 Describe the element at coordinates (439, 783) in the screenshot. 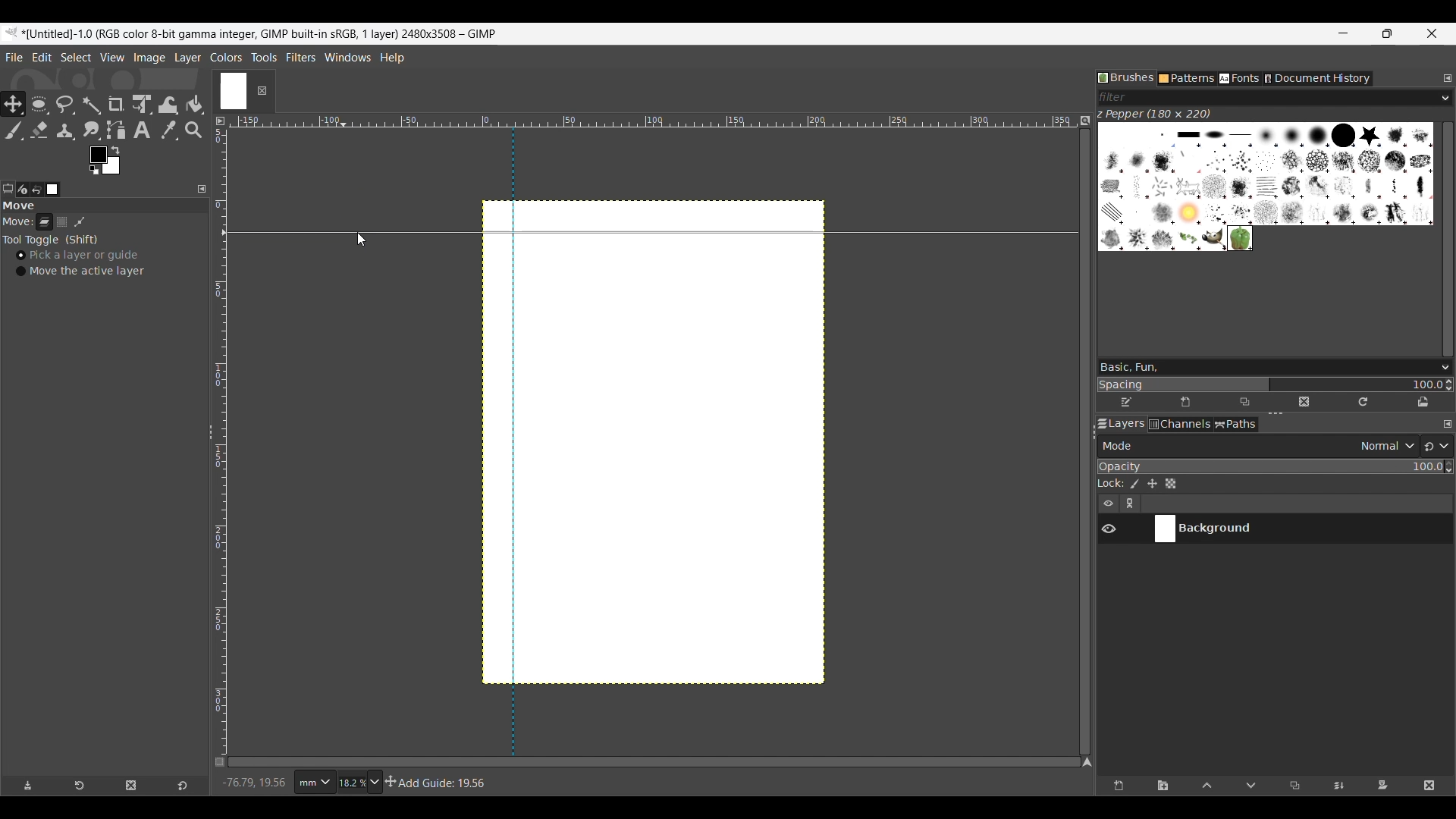

I see `Description of current selection by cursor` at that location.